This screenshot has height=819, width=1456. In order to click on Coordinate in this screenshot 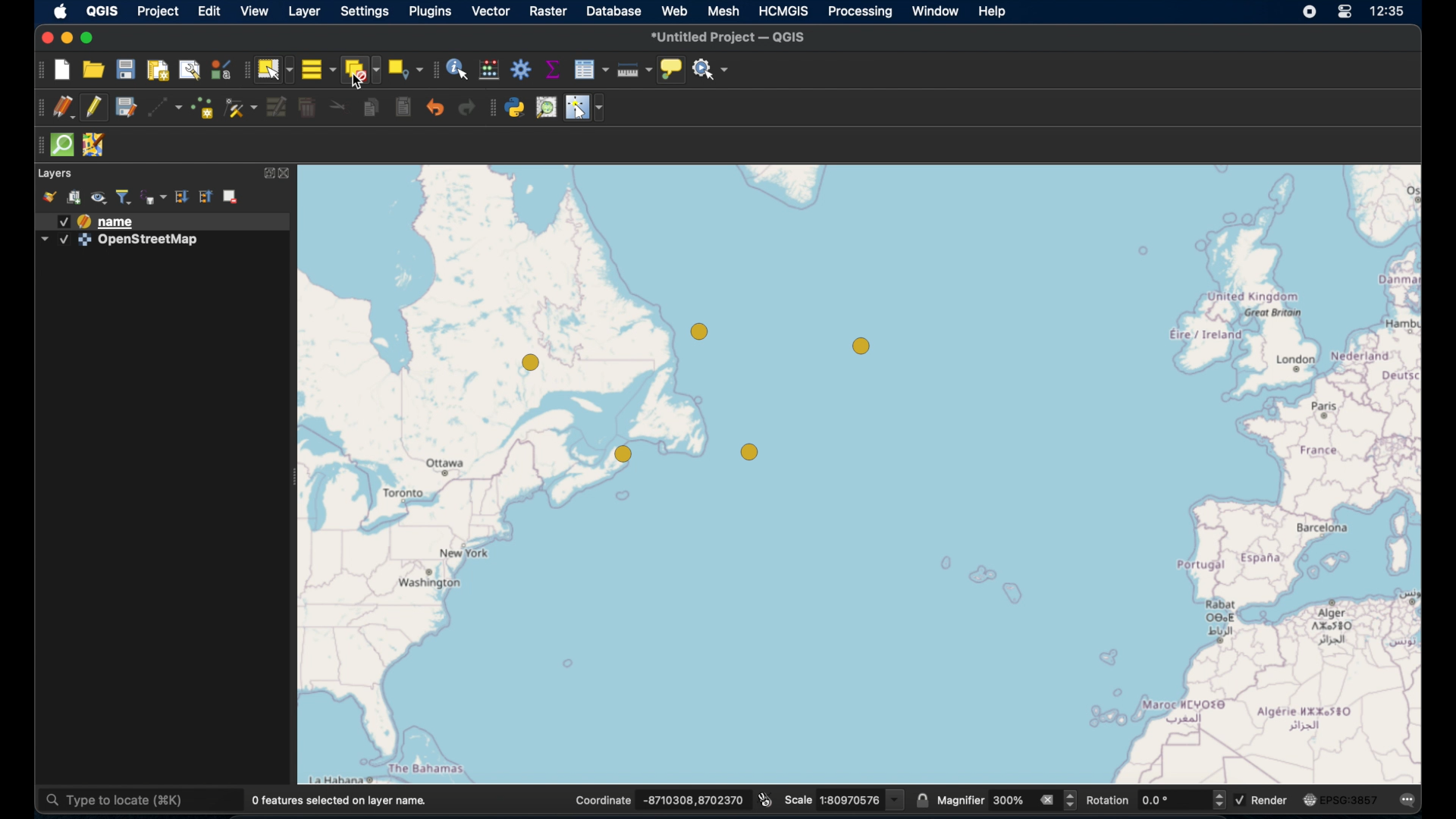, I will do `click(604, 800)`.